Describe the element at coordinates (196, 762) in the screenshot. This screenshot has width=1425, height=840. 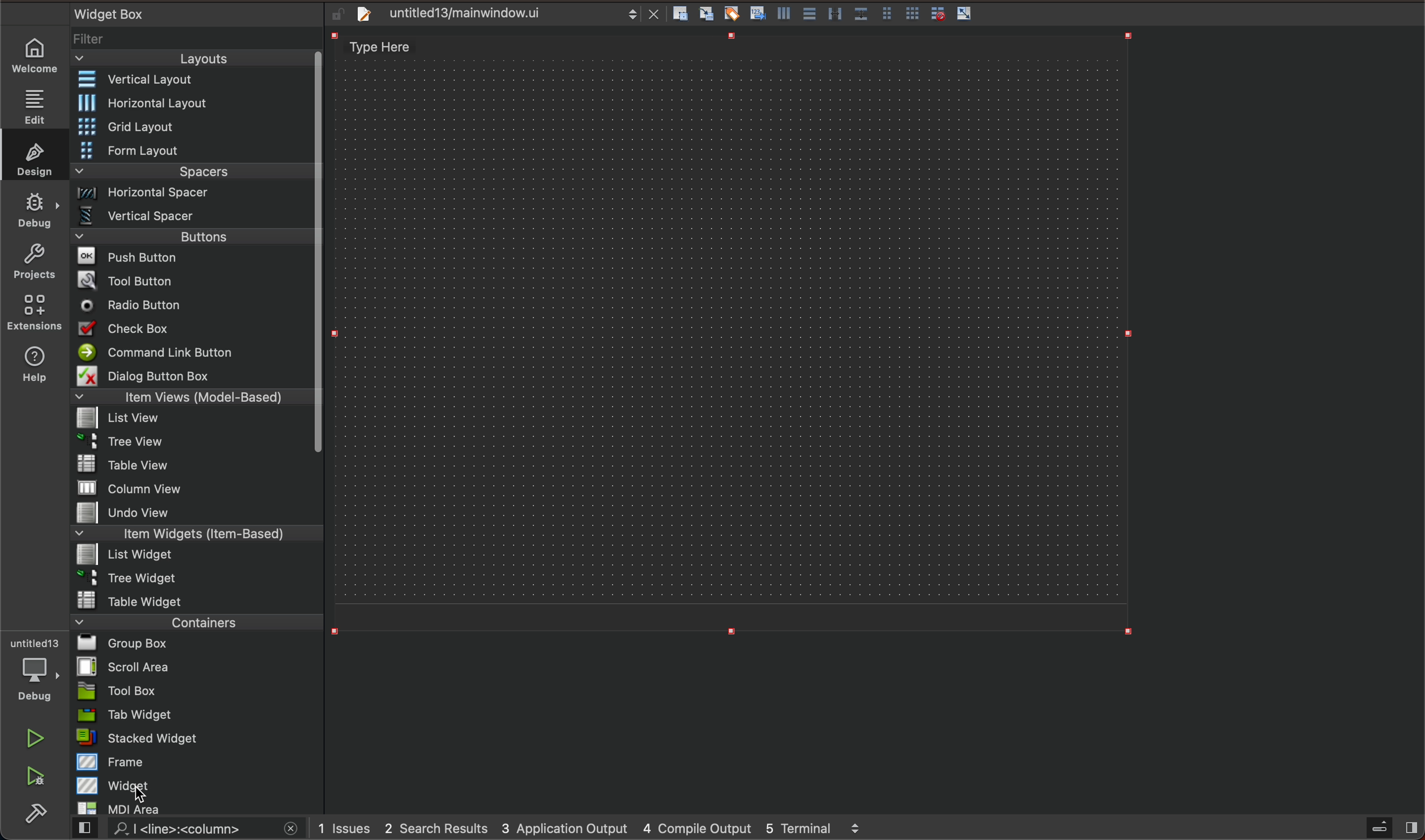
I see `frame` at that location.